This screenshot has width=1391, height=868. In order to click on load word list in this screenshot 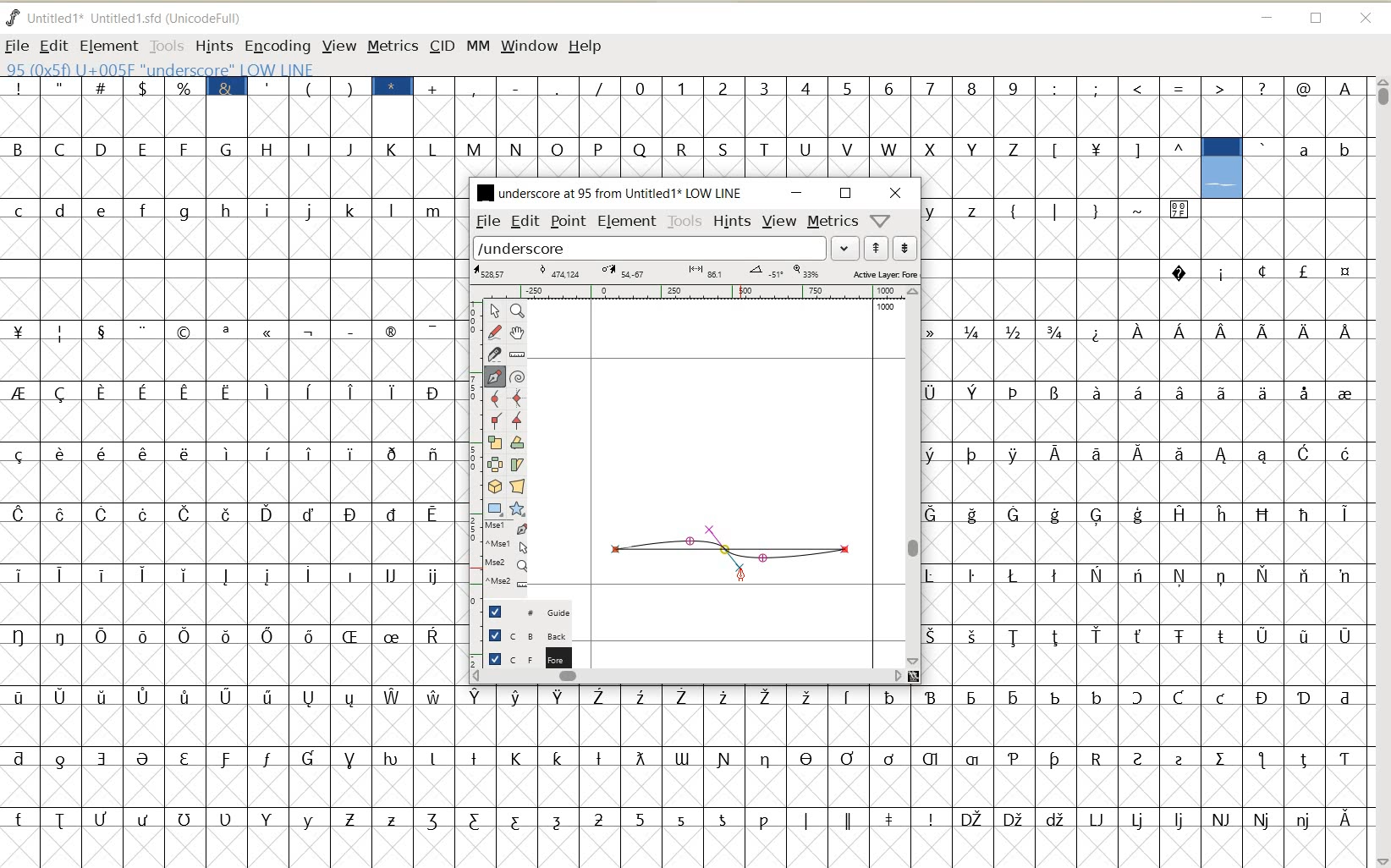, I will do `click(650, 247)`.